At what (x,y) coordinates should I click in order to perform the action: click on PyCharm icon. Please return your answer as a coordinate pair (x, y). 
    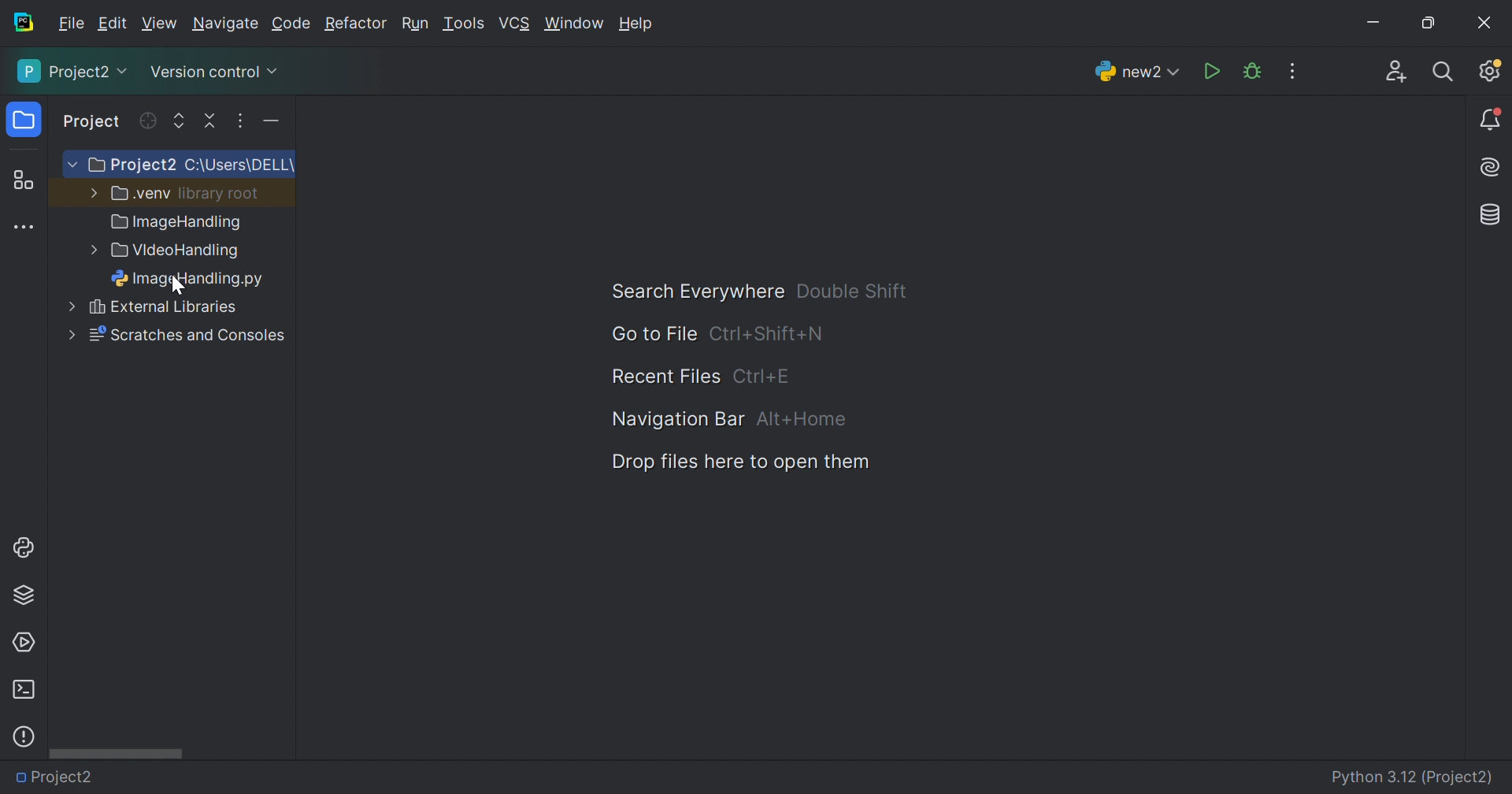
    Looking at the image, I should click on (22, 23).